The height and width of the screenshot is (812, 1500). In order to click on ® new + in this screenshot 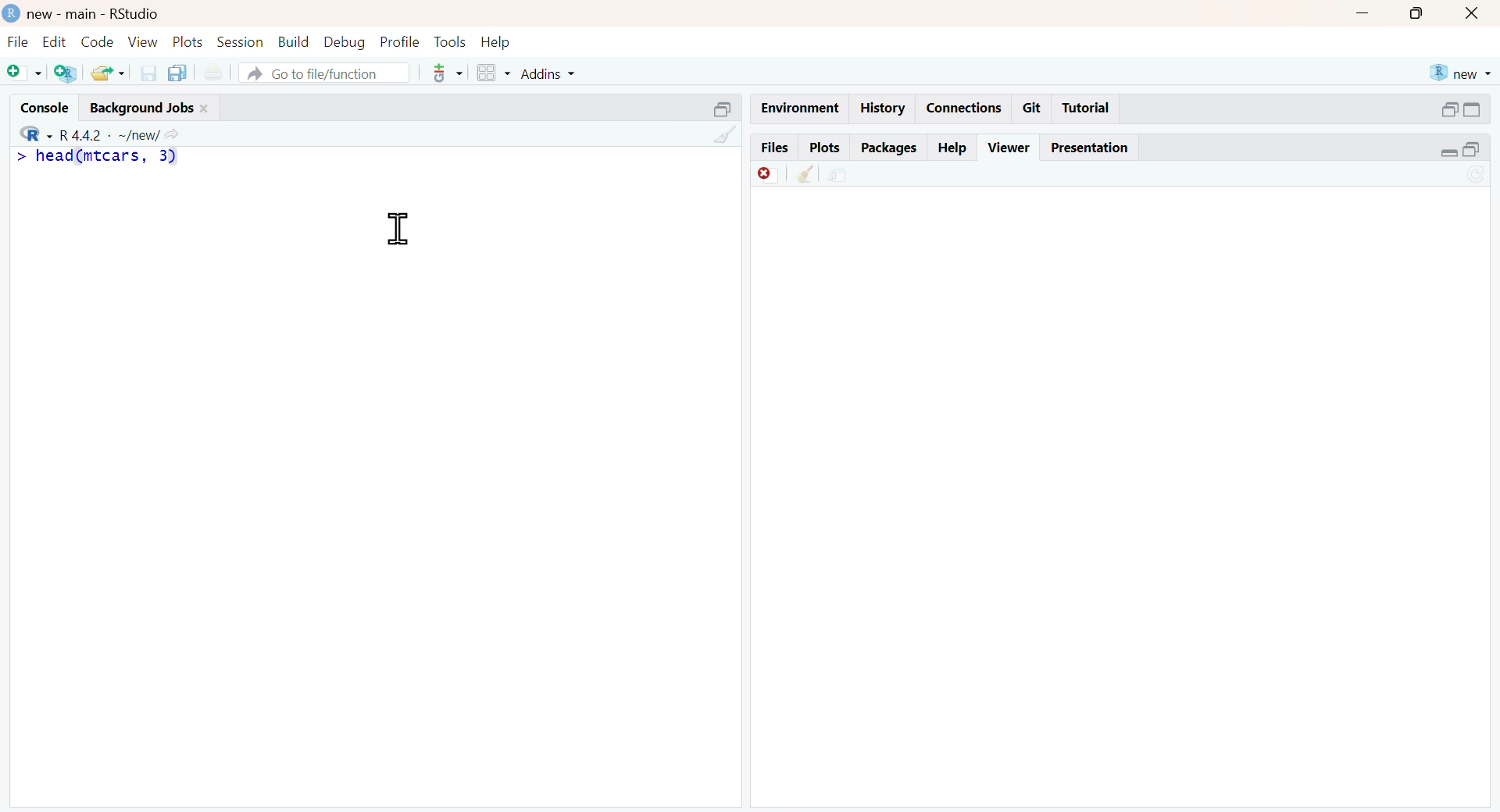, I will do `click(1463, 72)`.